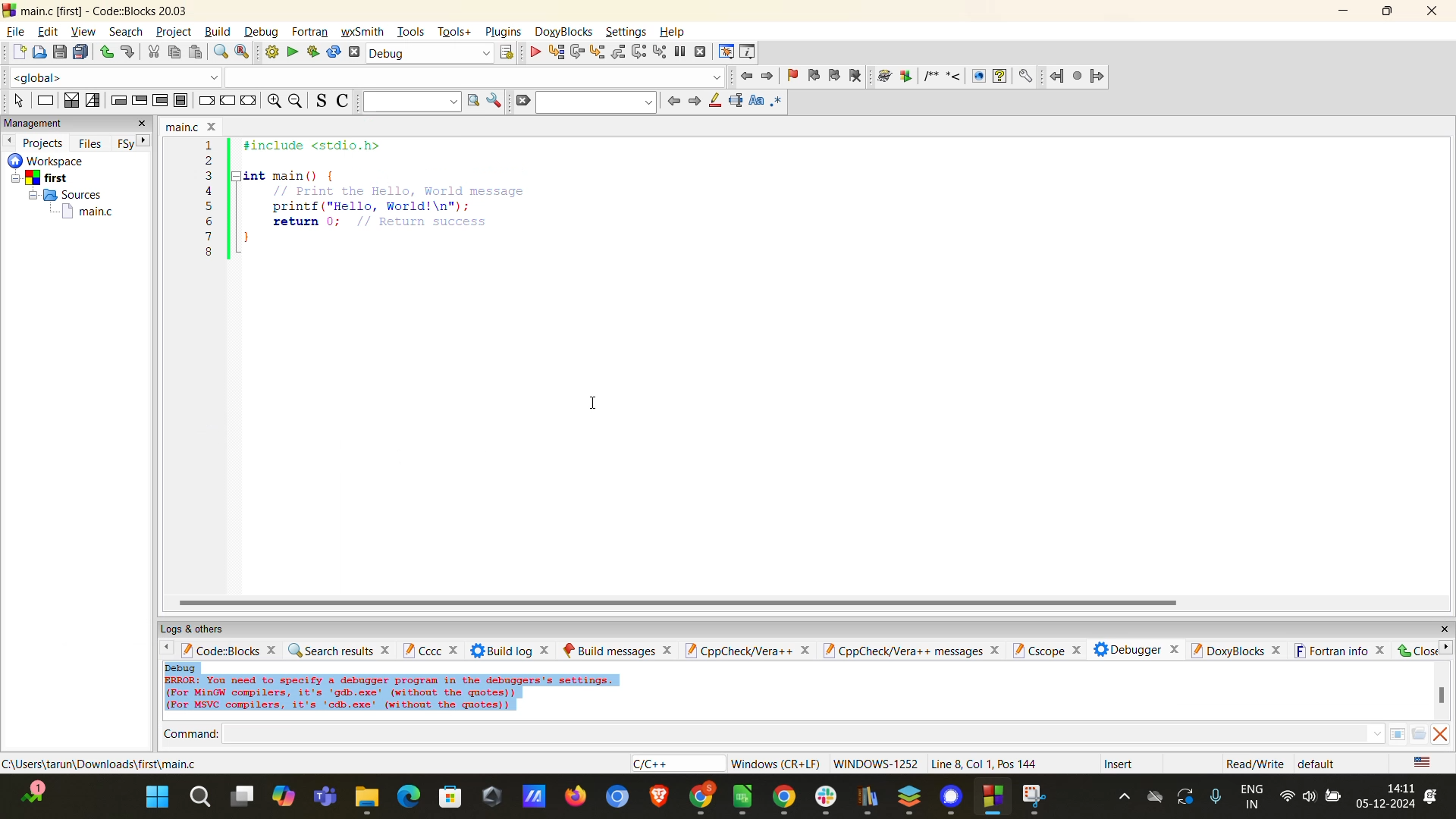 The image size is (1456, 819). What do you see at coordinates (1151, 797) in the screenshot?
I see `drive` at bounding box center [1151, 797].